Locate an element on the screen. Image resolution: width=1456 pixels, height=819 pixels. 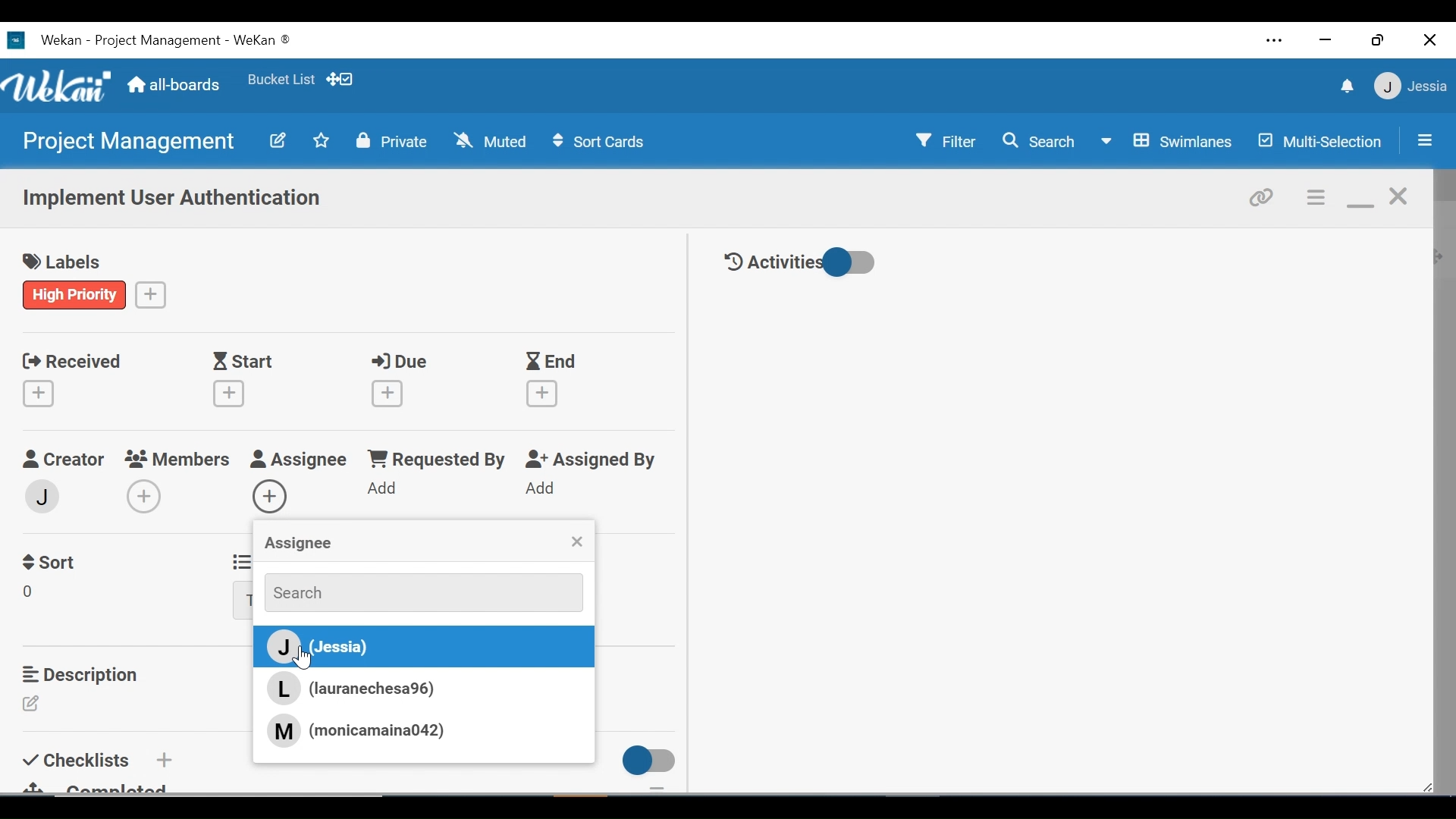
Search members is located at coordinates (415, 591).